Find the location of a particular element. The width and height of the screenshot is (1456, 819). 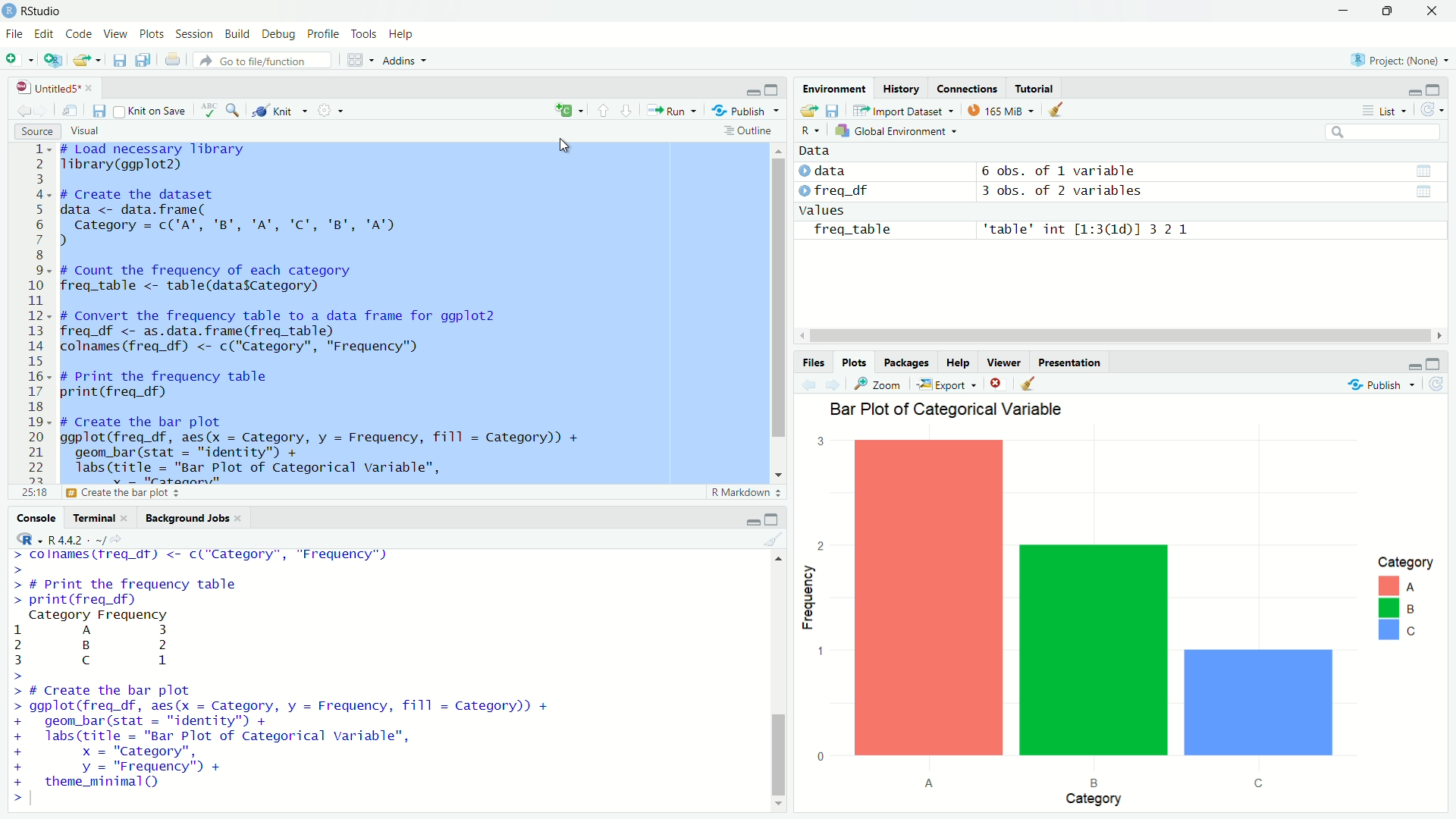

cursor is located at coordinates (574, 148).